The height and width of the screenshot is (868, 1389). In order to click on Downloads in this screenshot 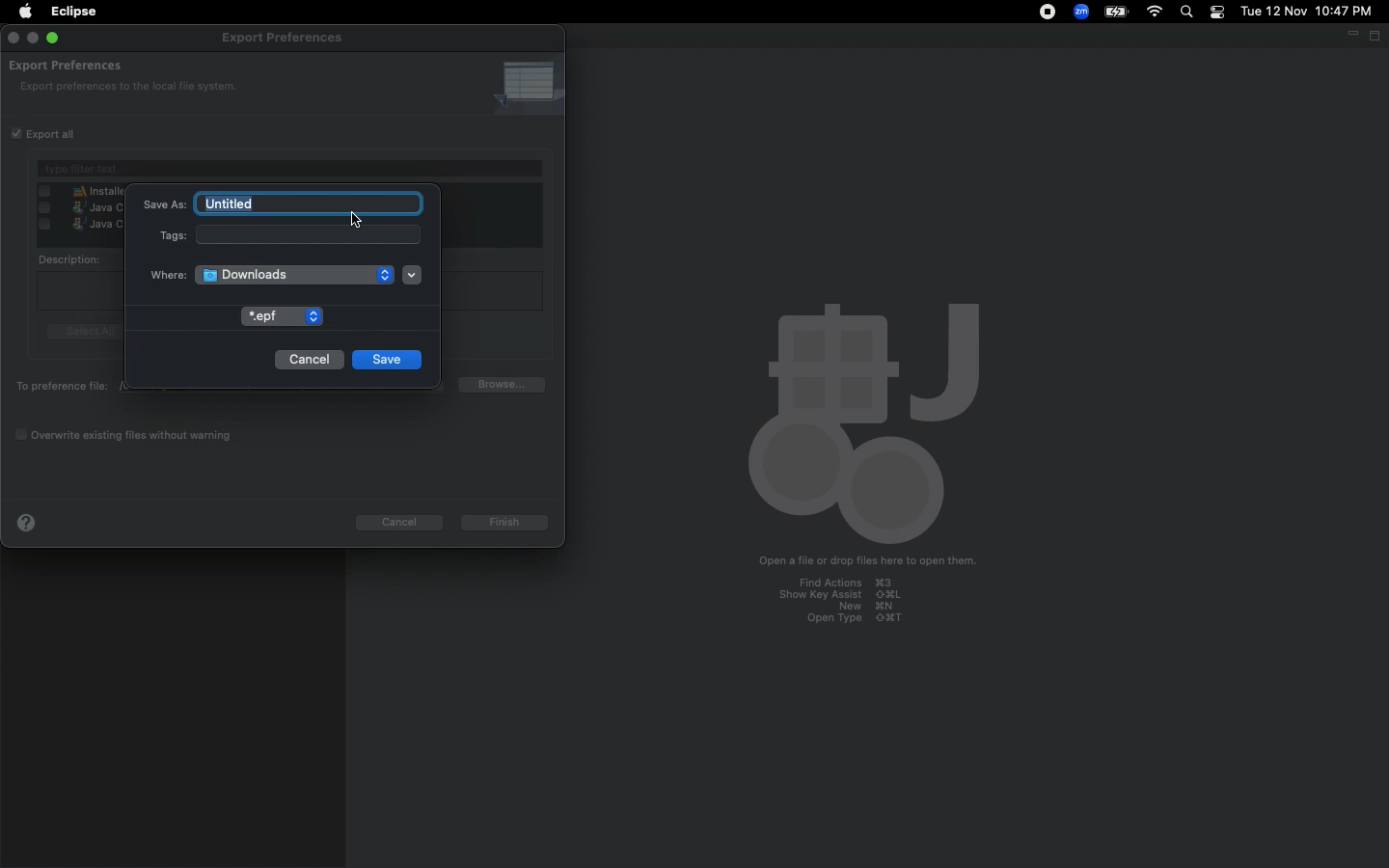, I will do `click(273, 274)`.